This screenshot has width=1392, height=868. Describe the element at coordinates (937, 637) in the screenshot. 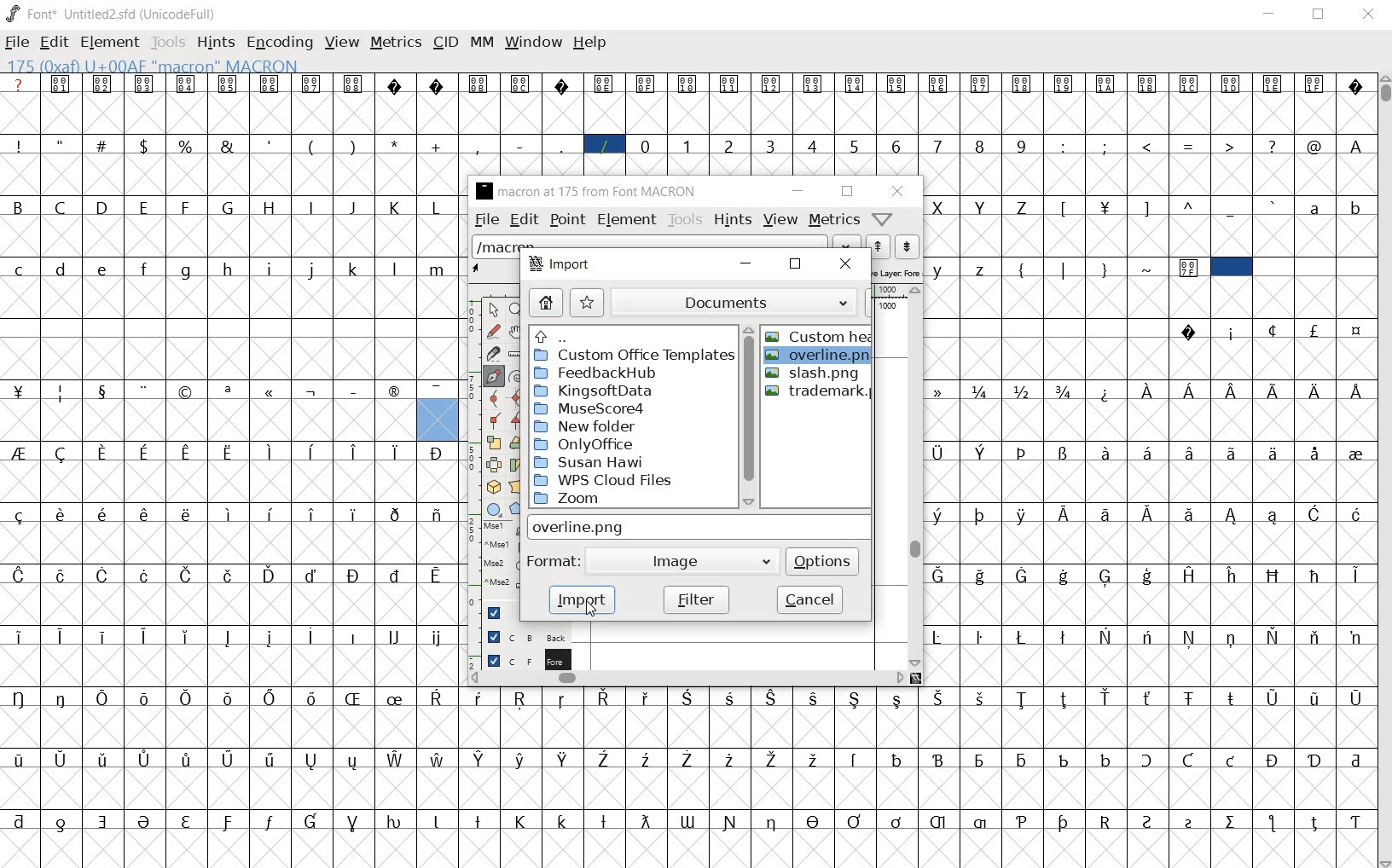

I see `Symbol` at that location.